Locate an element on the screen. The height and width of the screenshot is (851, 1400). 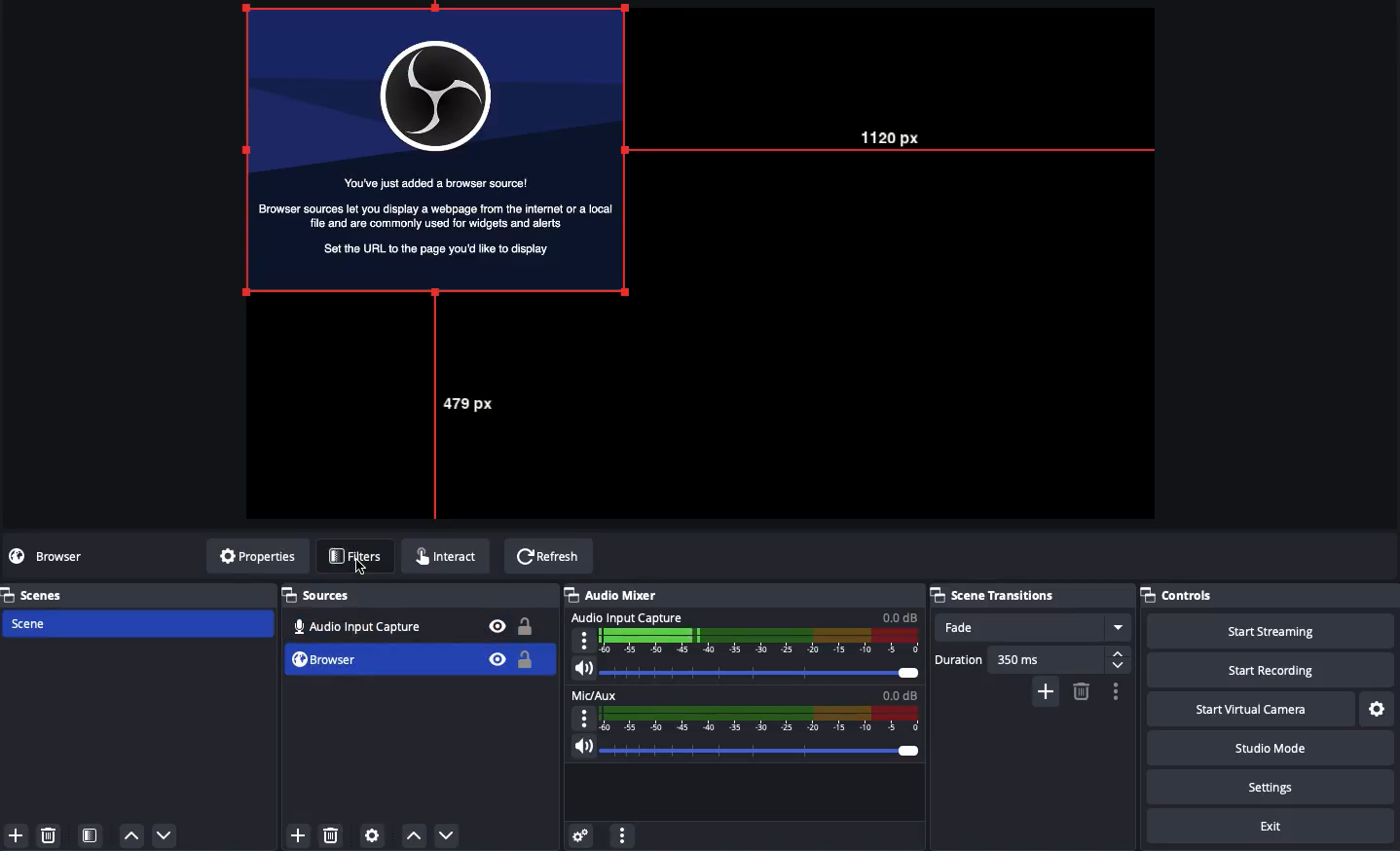
Selected is located at coordinates (330, 658).